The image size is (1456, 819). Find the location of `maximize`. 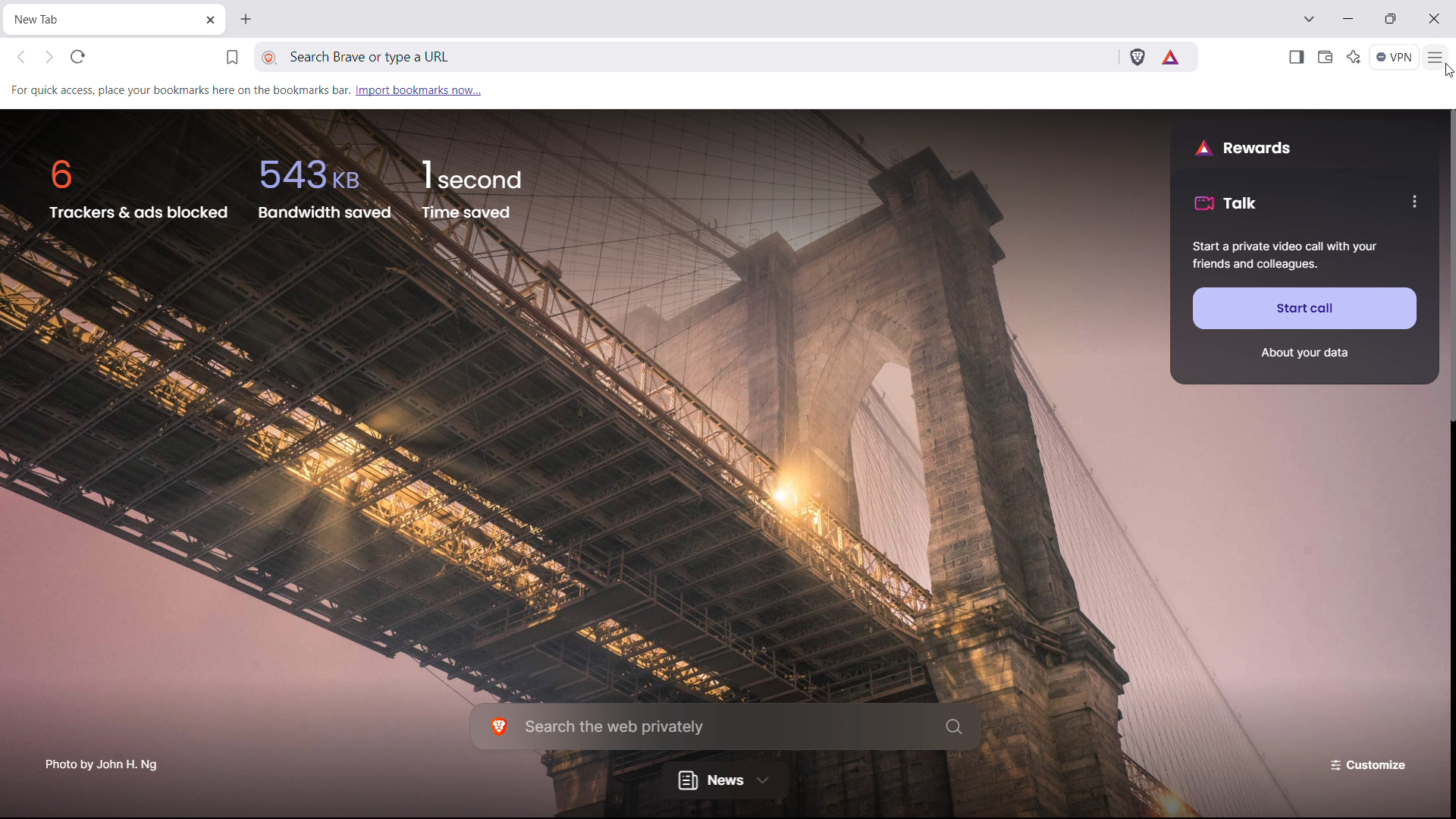

maximize is located at coordinates (1390, 20).